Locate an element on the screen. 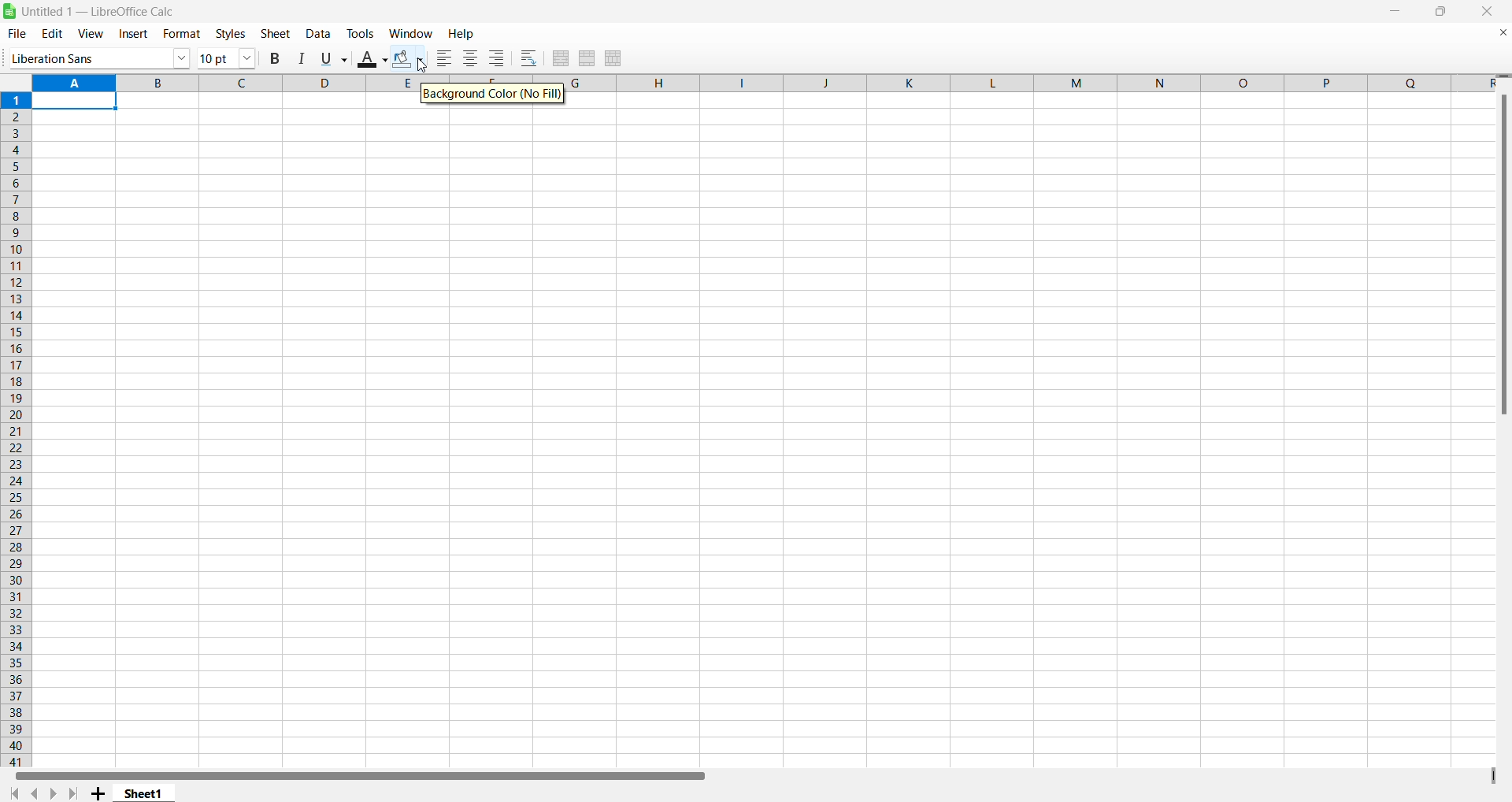 This screenshot has width=1512, height=802. italic is located at coordinates (298, 58).